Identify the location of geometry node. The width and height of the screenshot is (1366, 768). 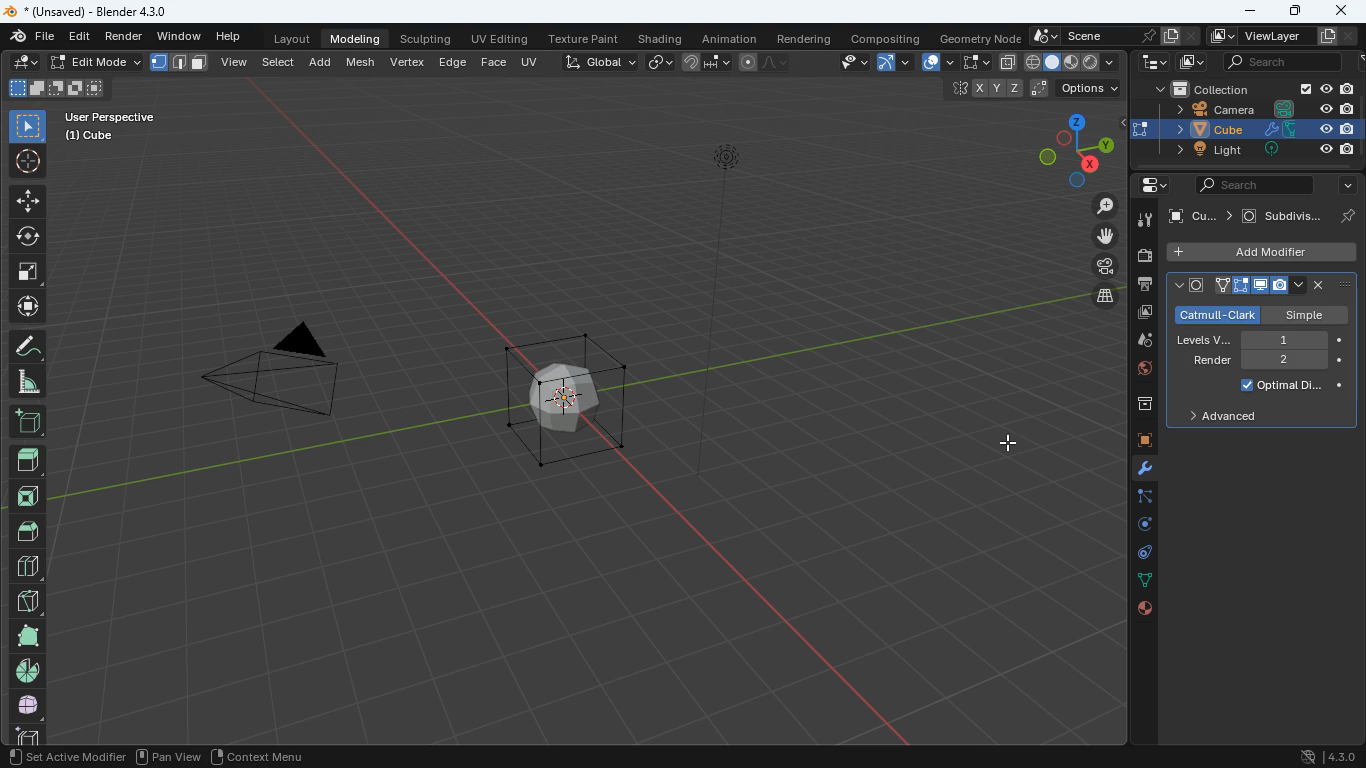
(975, 37).